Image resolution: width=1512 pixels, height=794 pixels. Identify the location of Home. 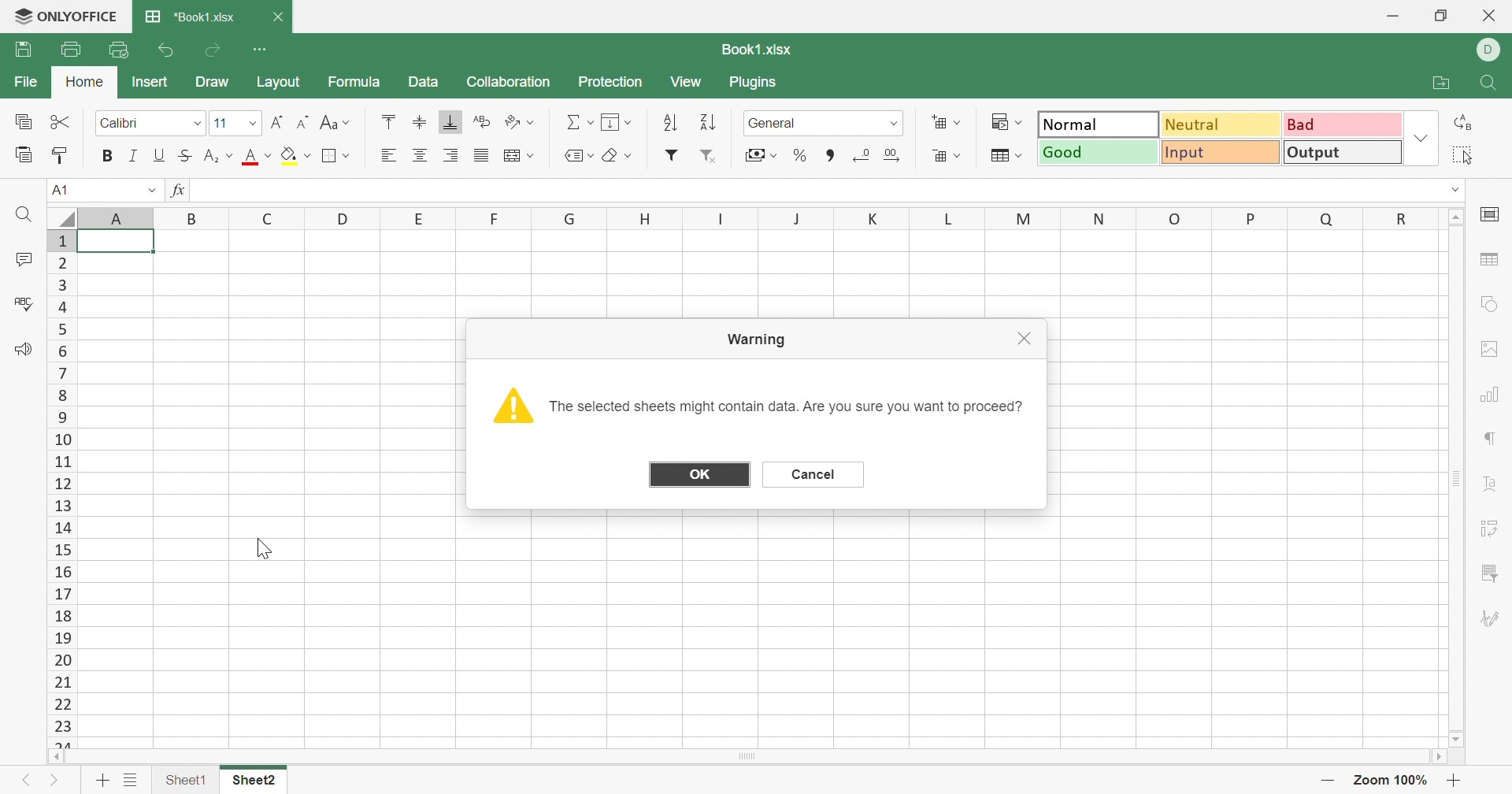
(83, 78).